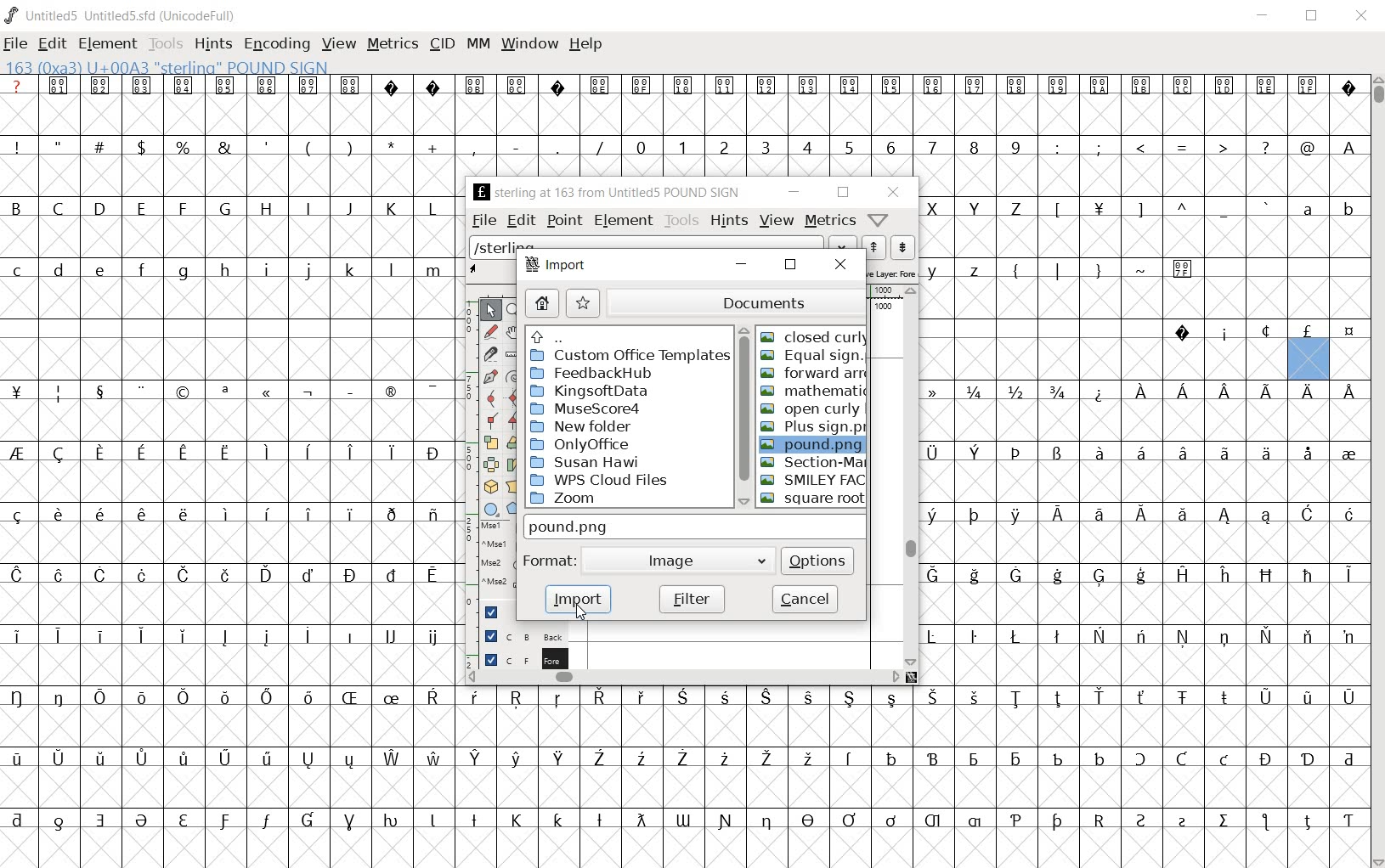  What do you see at coordinates (20, 515) in the screenshot?
I see `Symbol` at bounding box center [20, 515].